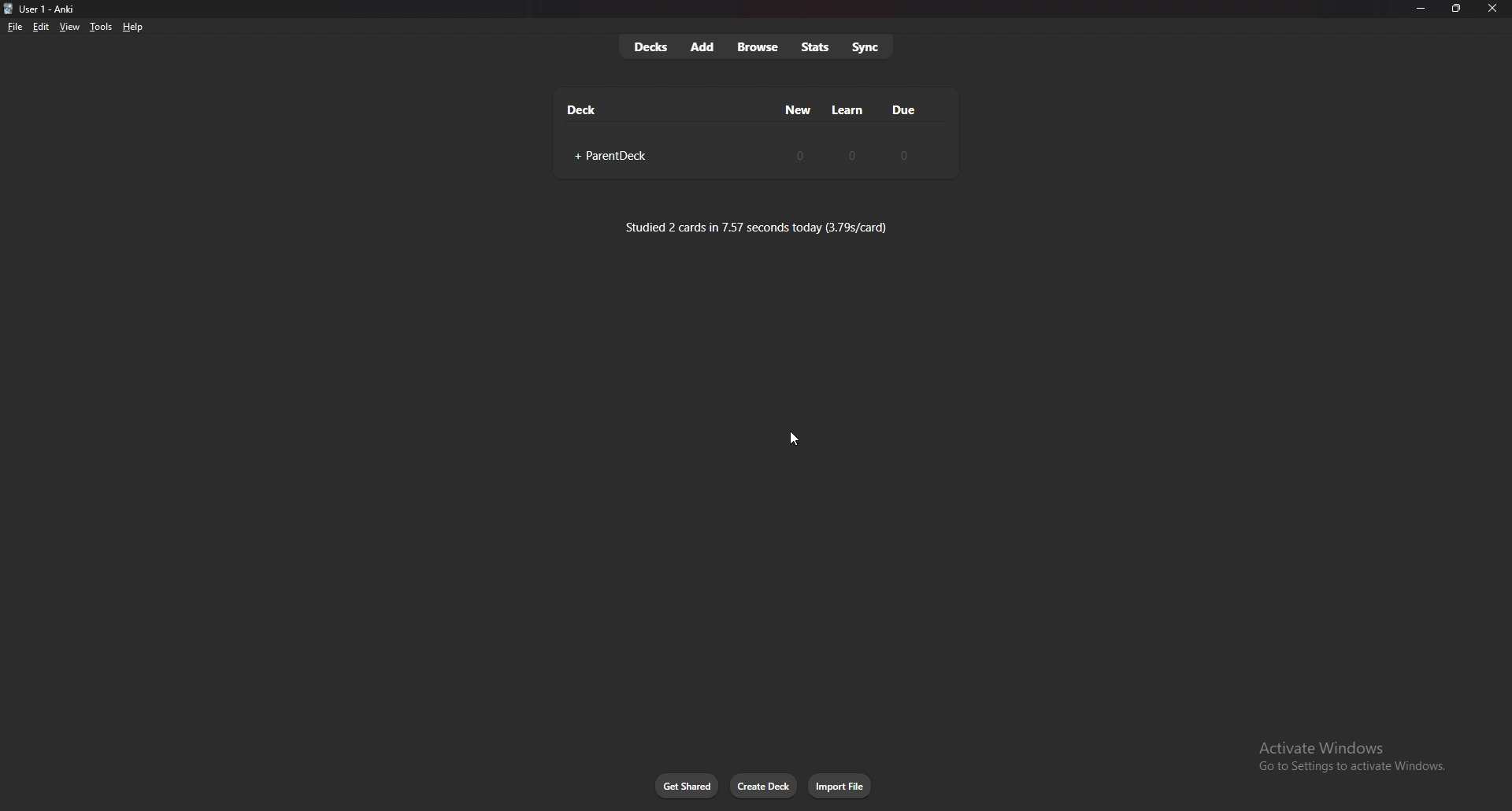  What do you see at coordinates (9, 9) in the screenshot?
I see `logo` at bounding box center [9, 9].